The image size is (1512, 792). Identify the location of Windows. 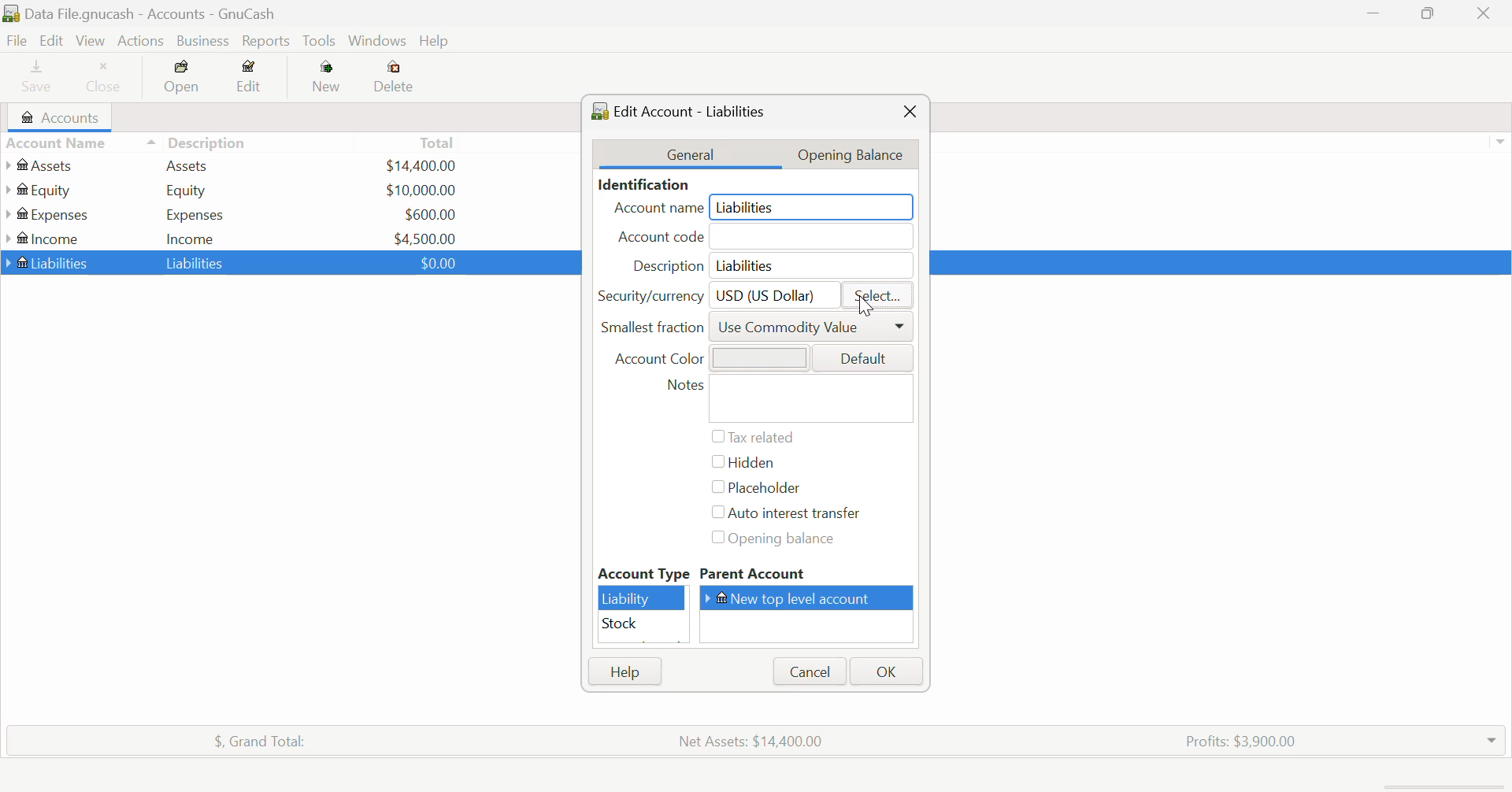
(378, 43).